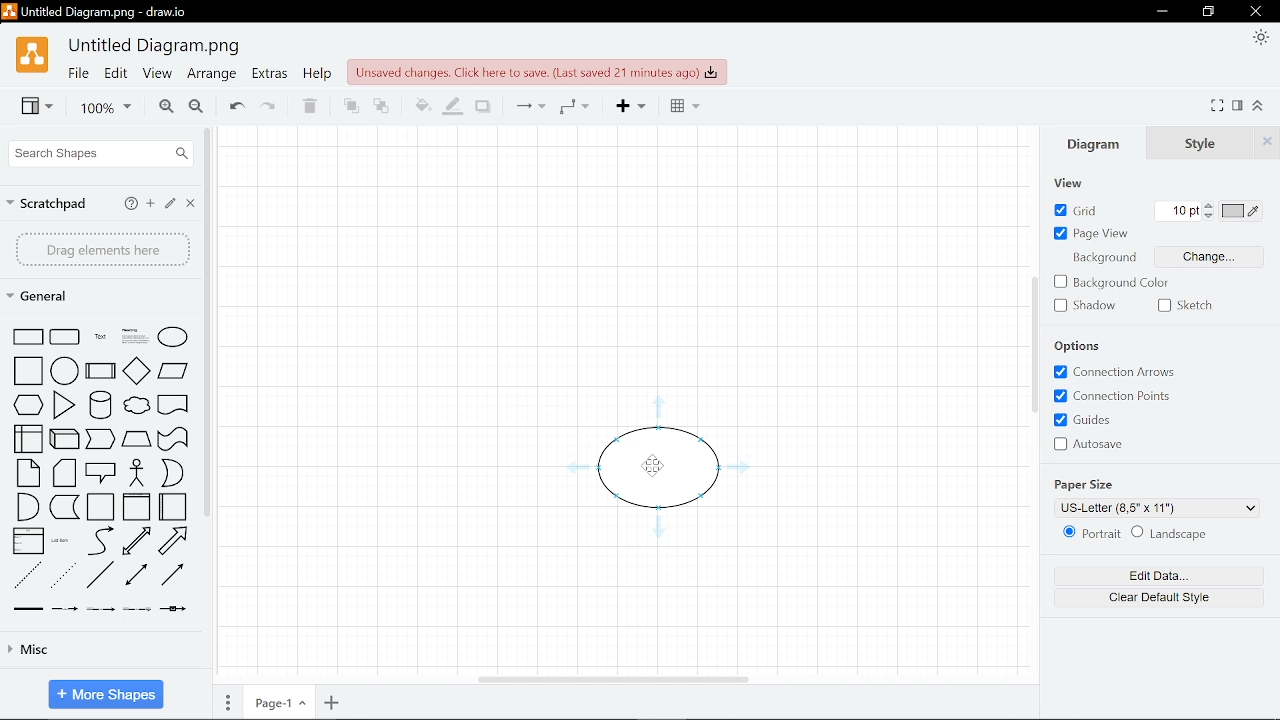 The height and width of the screenshot is (720, 1280). Describe the element at coordinates (452, 105) in the screenshot. I see `Line color` at that location.